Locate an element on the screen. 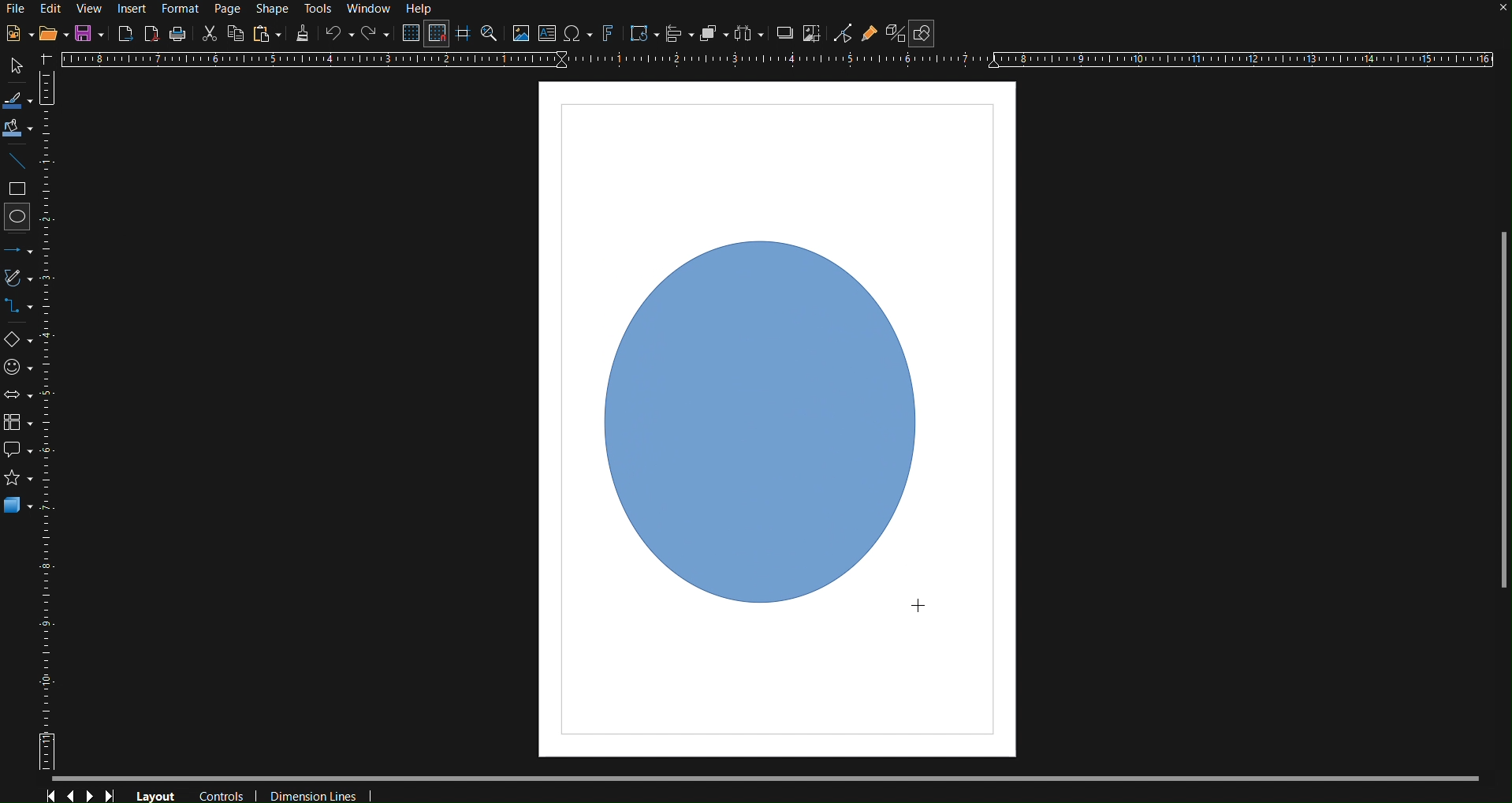 Image resolution: width=1512 pixels, height=803 pixels. Insert Fontworks is located at coordinates (608, 35).